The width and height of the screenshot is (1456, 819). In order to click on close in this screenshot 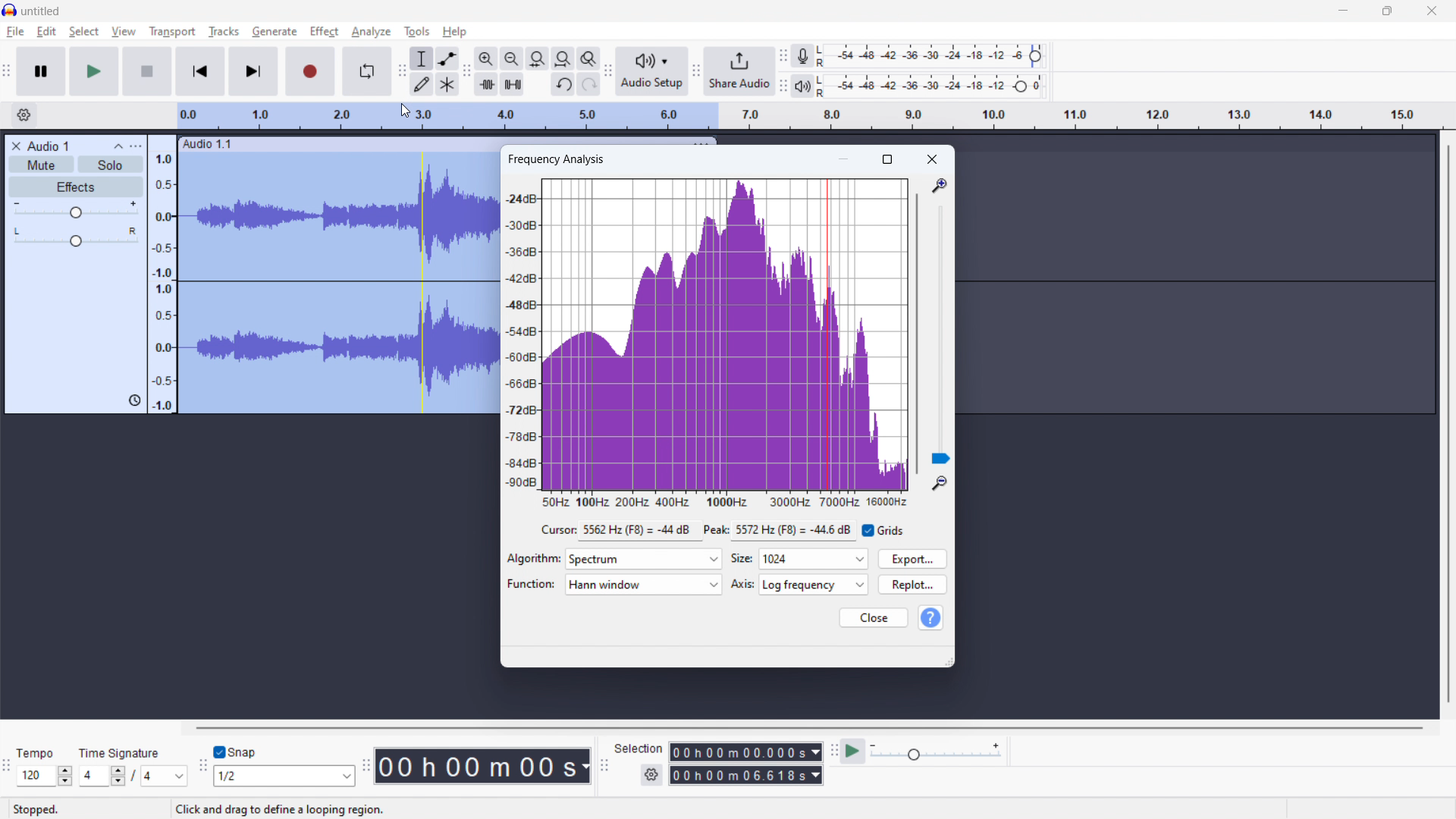, I will do `click(874, 618)`.